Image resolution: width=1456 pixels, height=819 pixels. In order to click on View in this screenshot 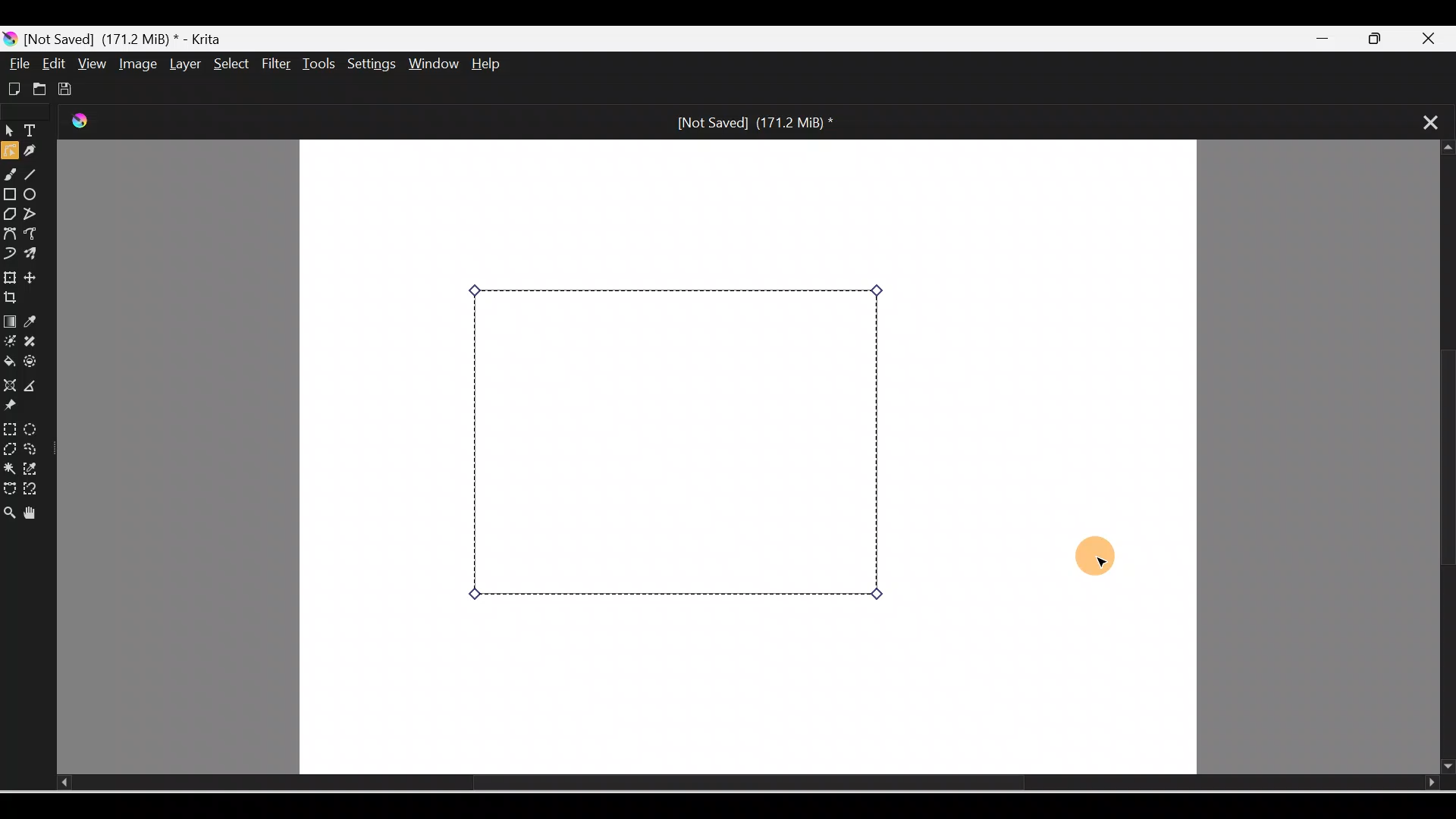, I will do `click(89, 63)`.